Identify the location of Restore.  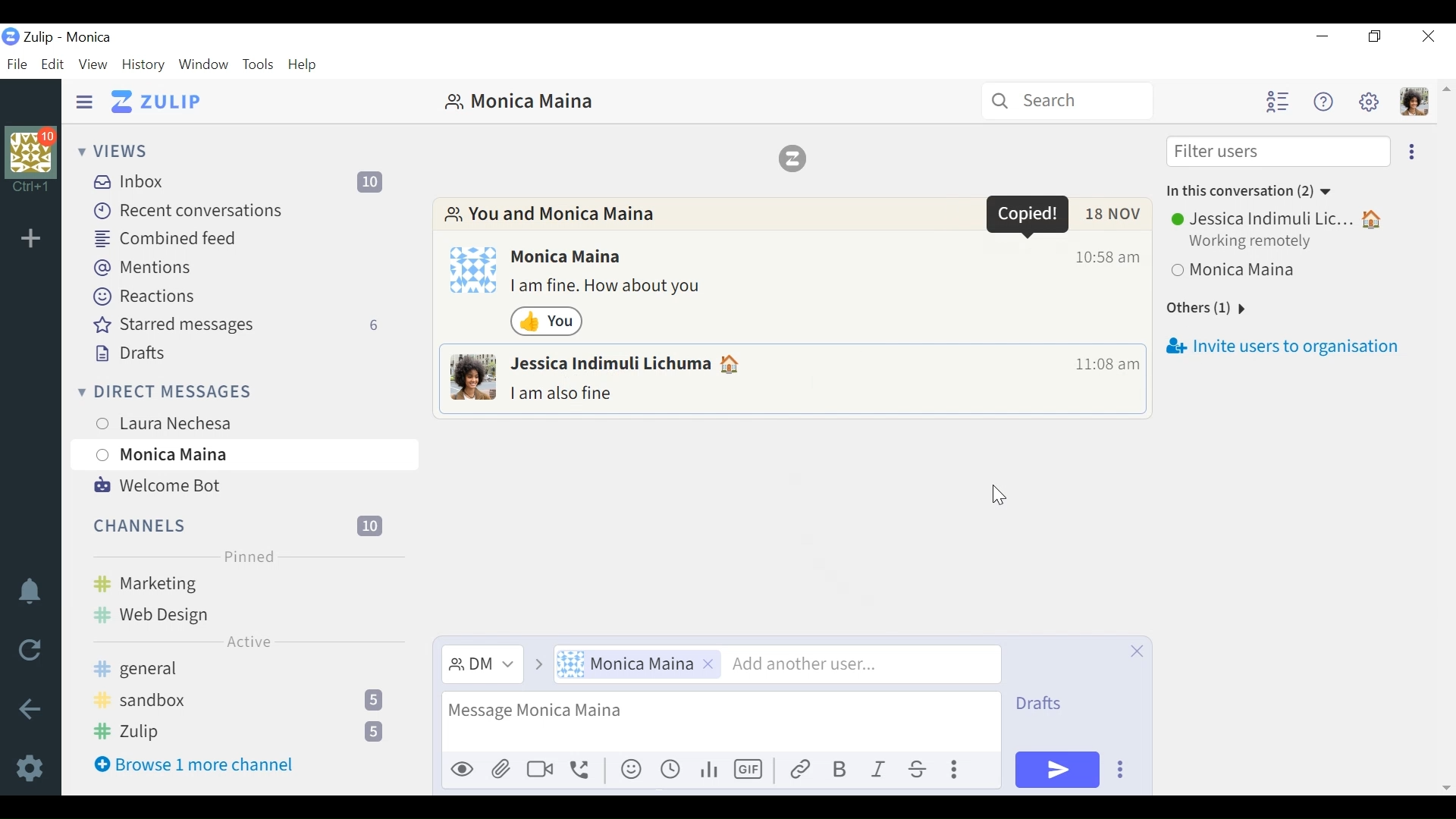
(1375, 37).